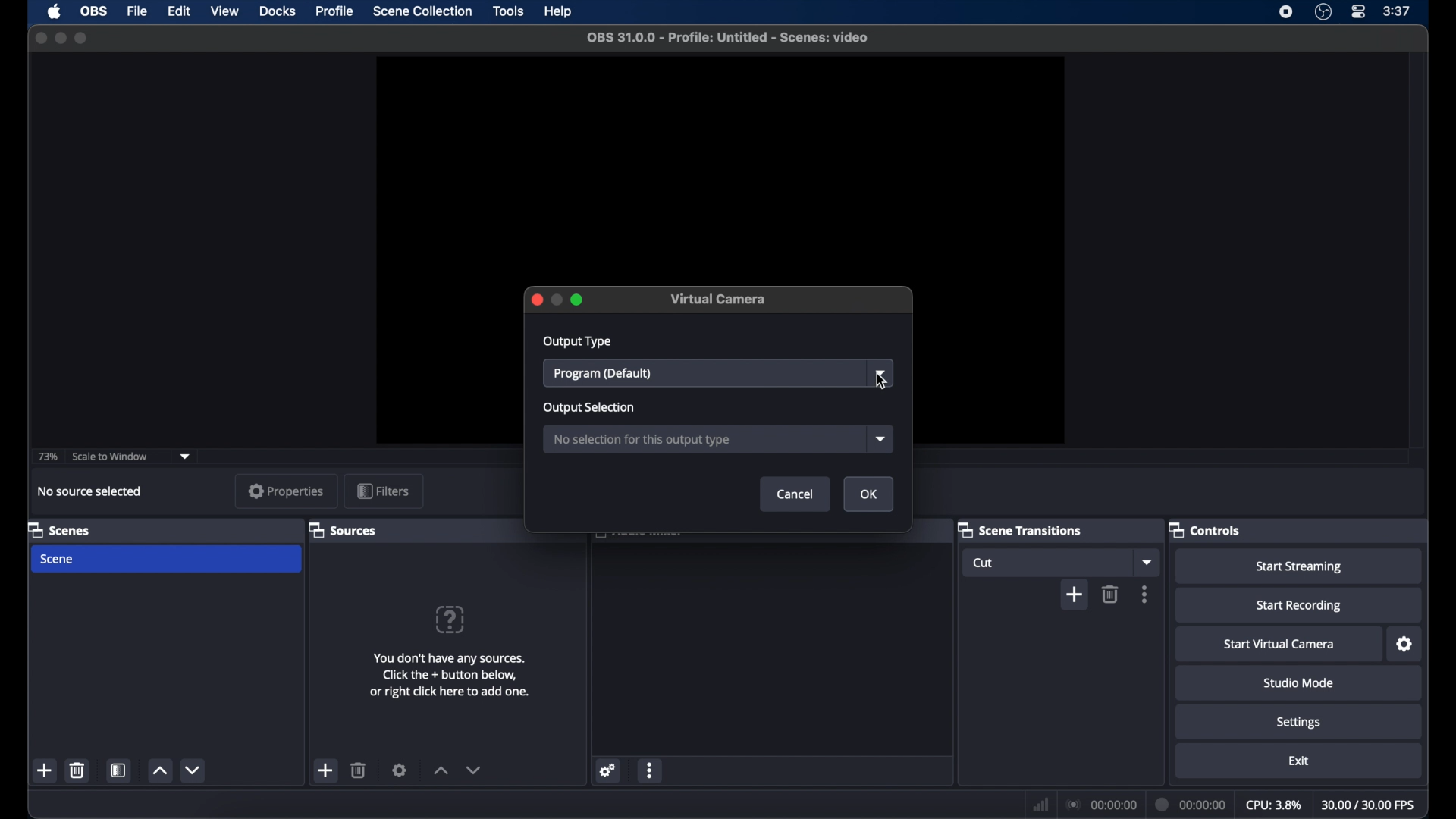 This screenshot has width=1456, height=819. What do you see at coordinates (1298, 606) in the screenshot?
I see `start recording` at bounding box center [1298, 606].